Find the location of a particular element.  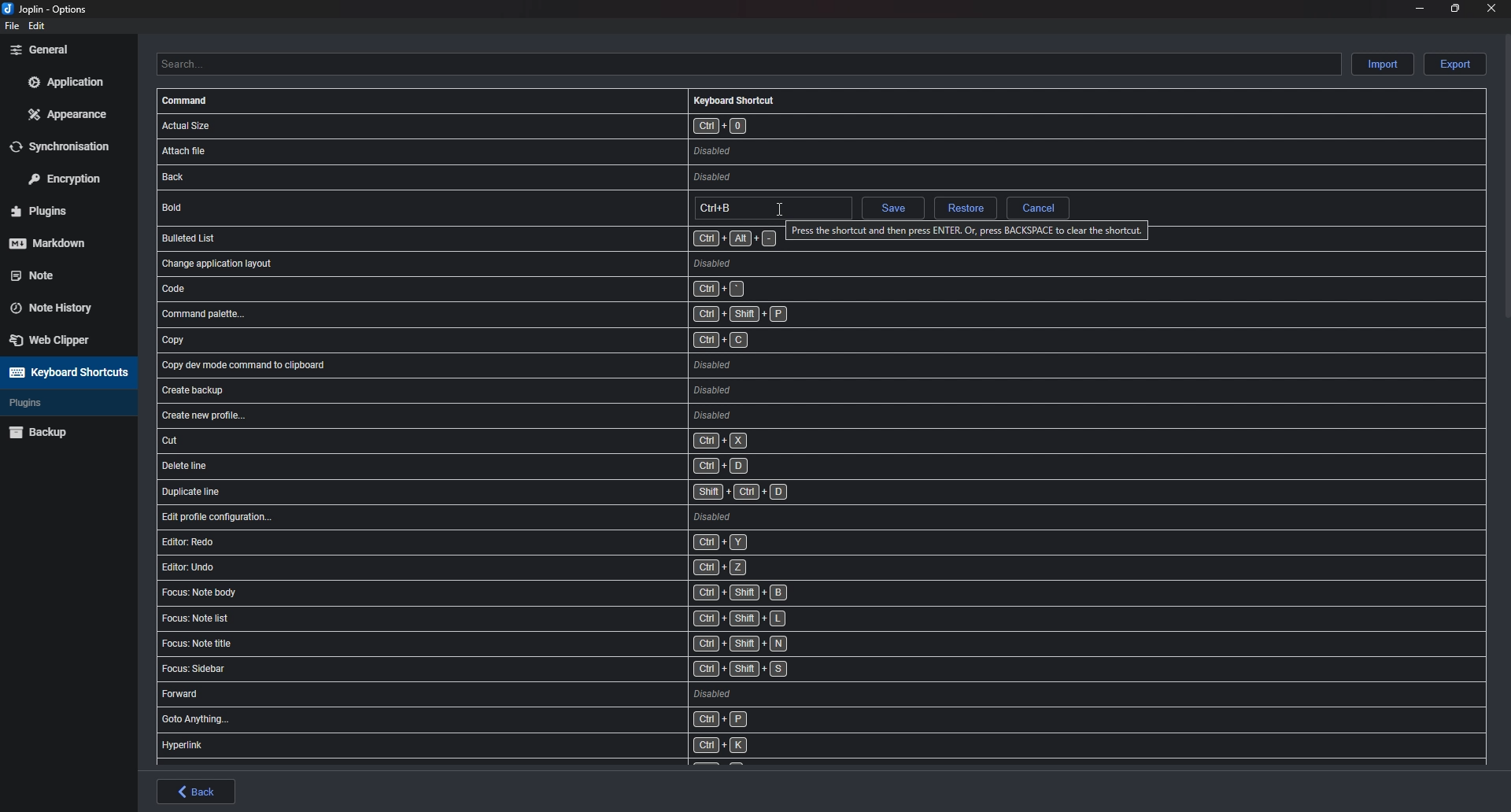

bold is located at coordinates (262, 206).